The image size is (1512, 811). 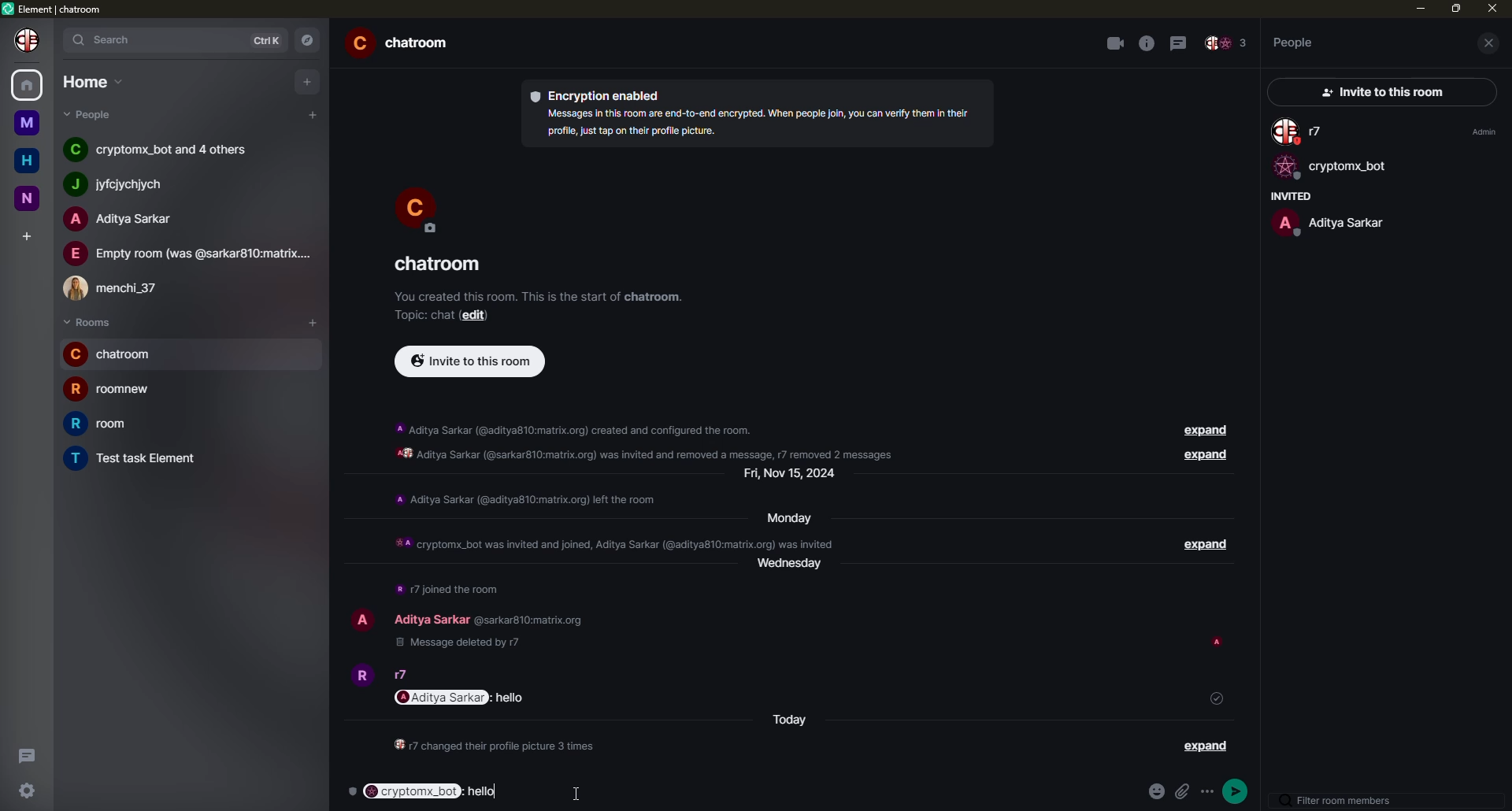 What do you see at coordinates (309, 80) in the screenshot?
I see `add` at bounding box center [309, 80].